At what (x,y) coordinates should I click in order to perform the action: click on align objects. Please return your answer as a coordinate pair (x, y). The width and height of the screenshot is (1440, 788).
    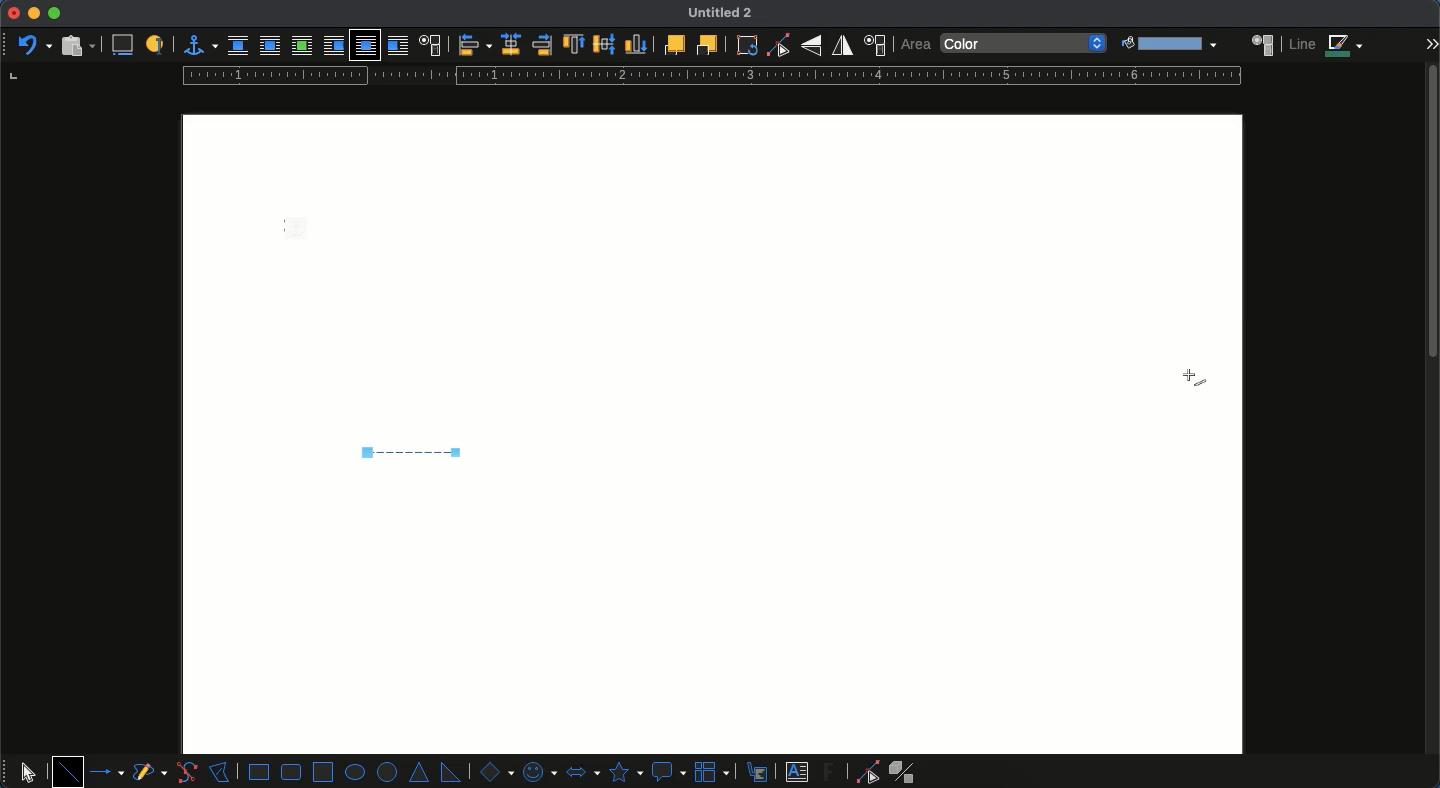
    Looking at the image, I should click on (475, 45).